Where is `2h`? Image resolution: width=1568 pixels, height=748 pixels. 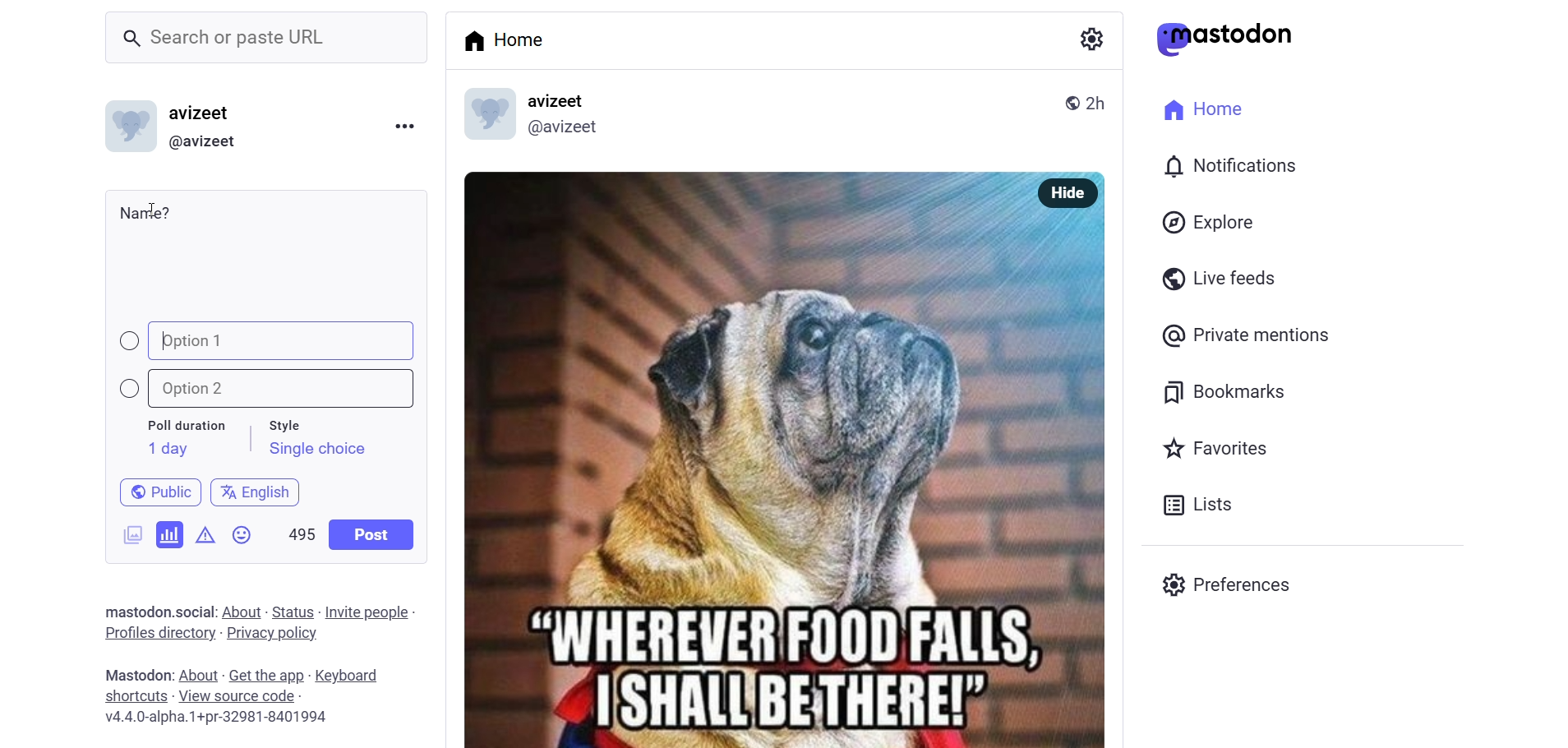
2h is located at coordinates (1102, 95).